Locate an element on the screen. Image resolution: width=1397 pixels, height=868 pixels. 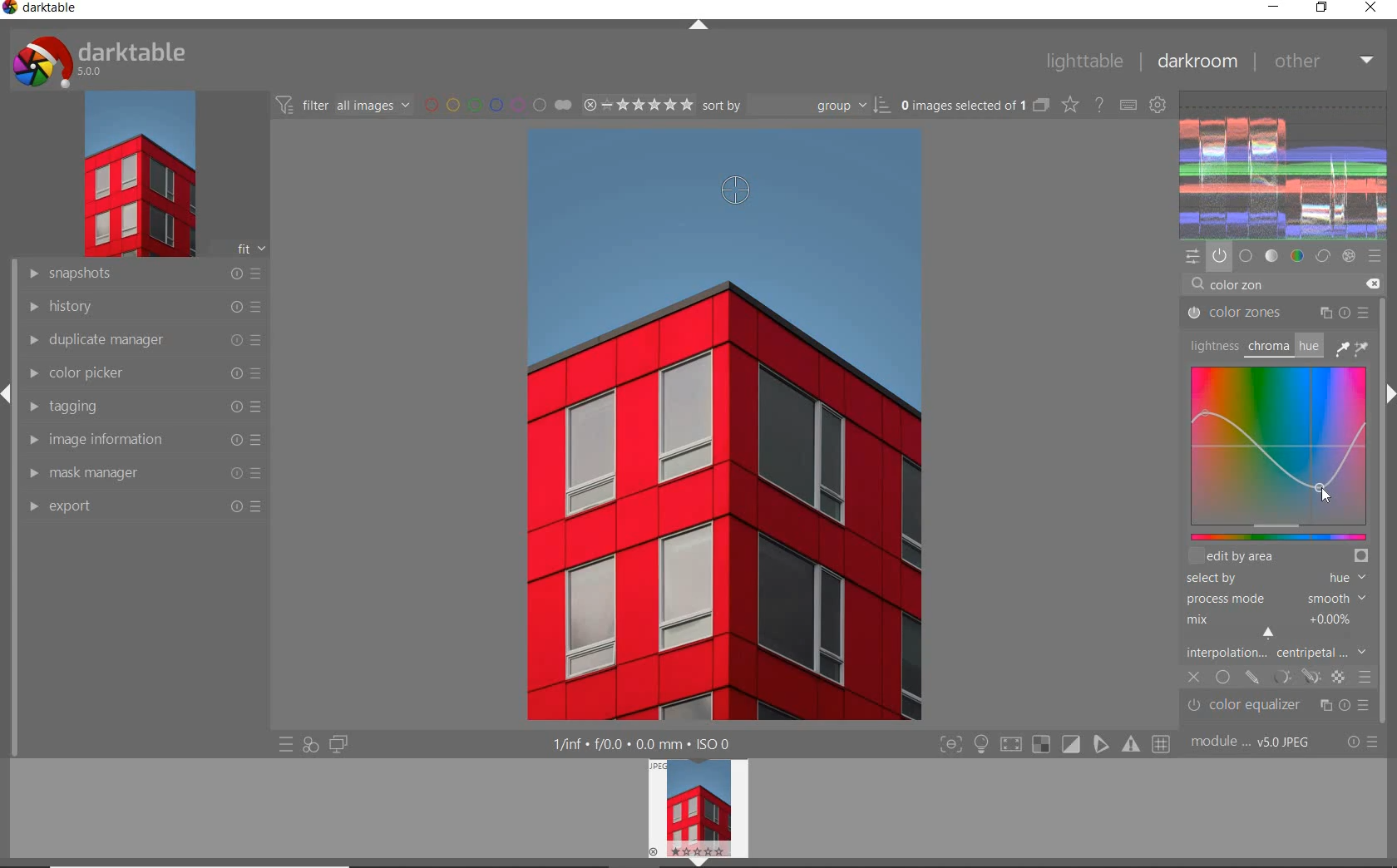
tone is located at coordinates (1272, 255).